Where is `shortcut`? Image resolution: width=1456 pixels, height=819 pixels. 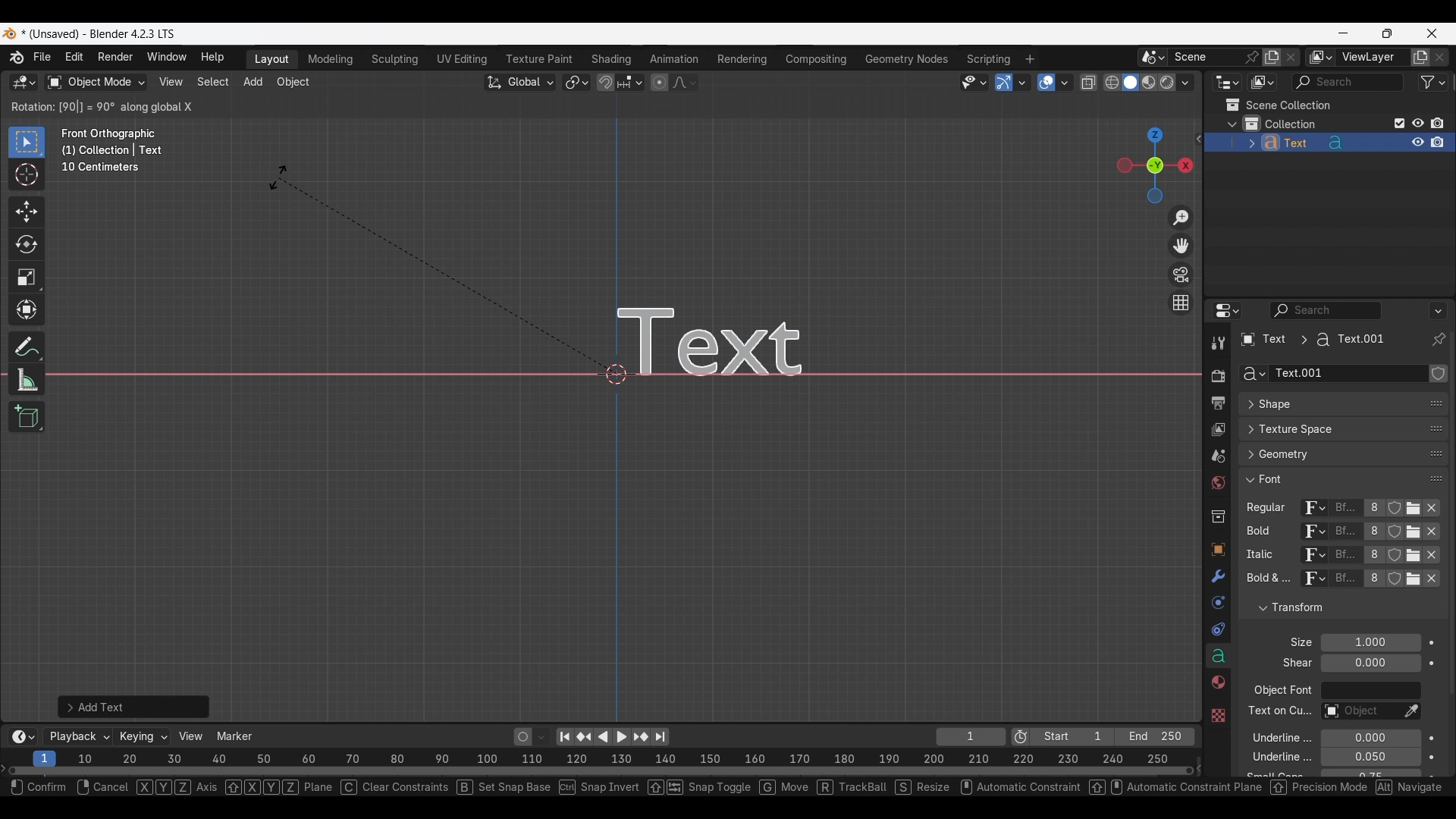 shortcut is located at coordinates (1414, 788).